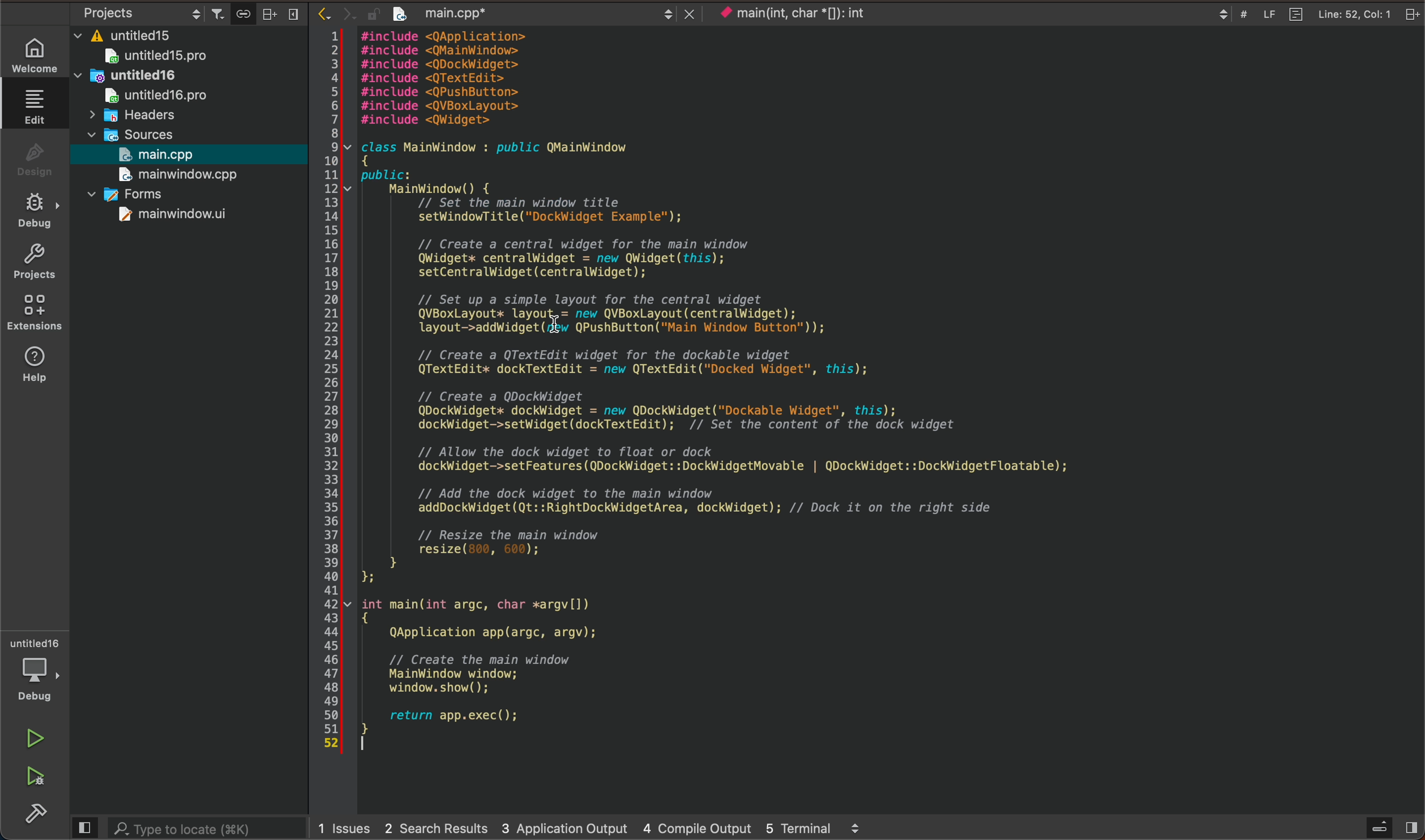 Image resolution: width=1425 pixels, height=840 pixels. Describe the element at coordinates (186, 174) in the screenshot. I see `main window` at that location.